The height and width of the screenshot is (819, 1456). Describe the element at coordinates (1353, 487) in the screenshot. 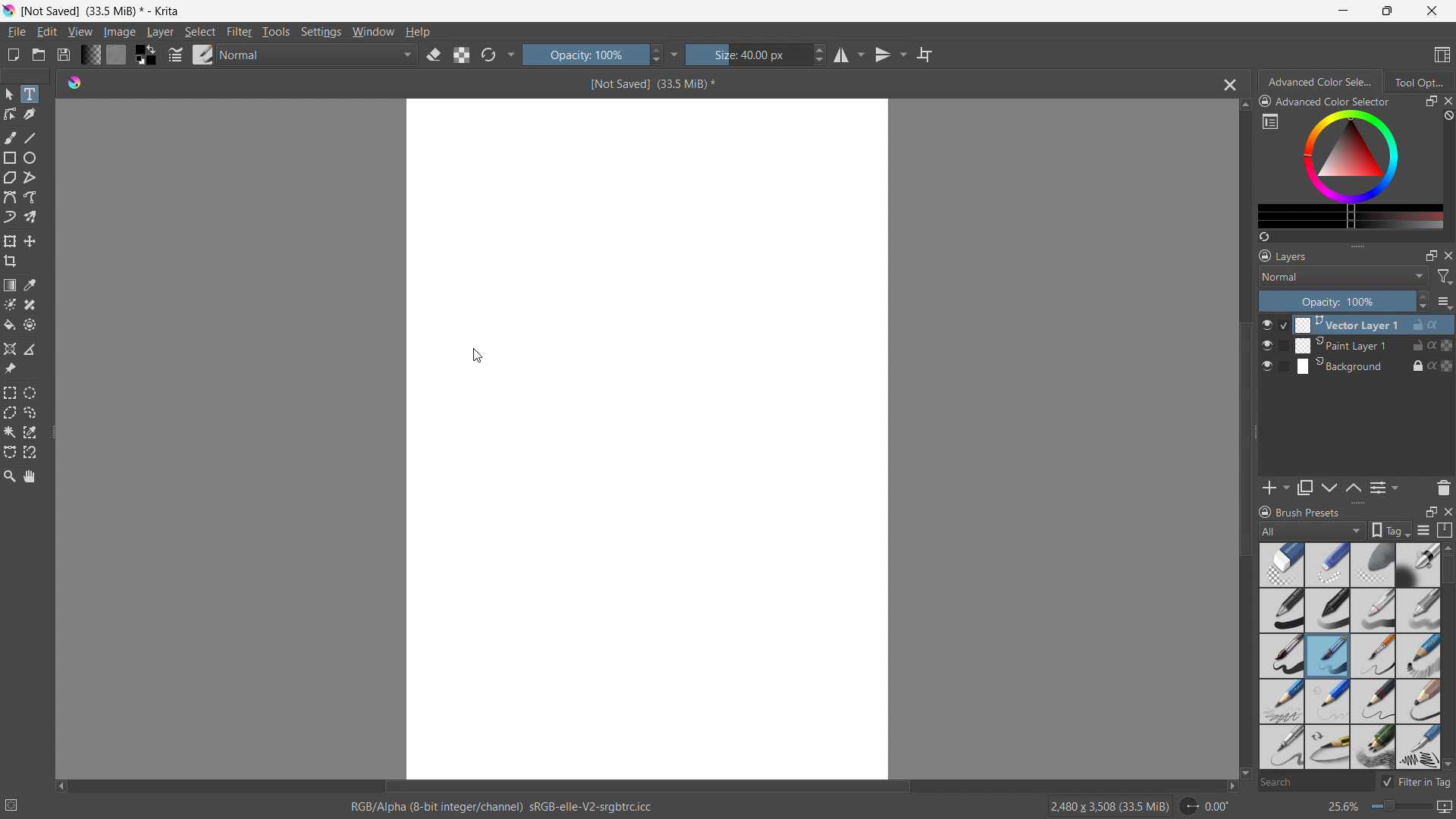

I see `move layer down` at that location.